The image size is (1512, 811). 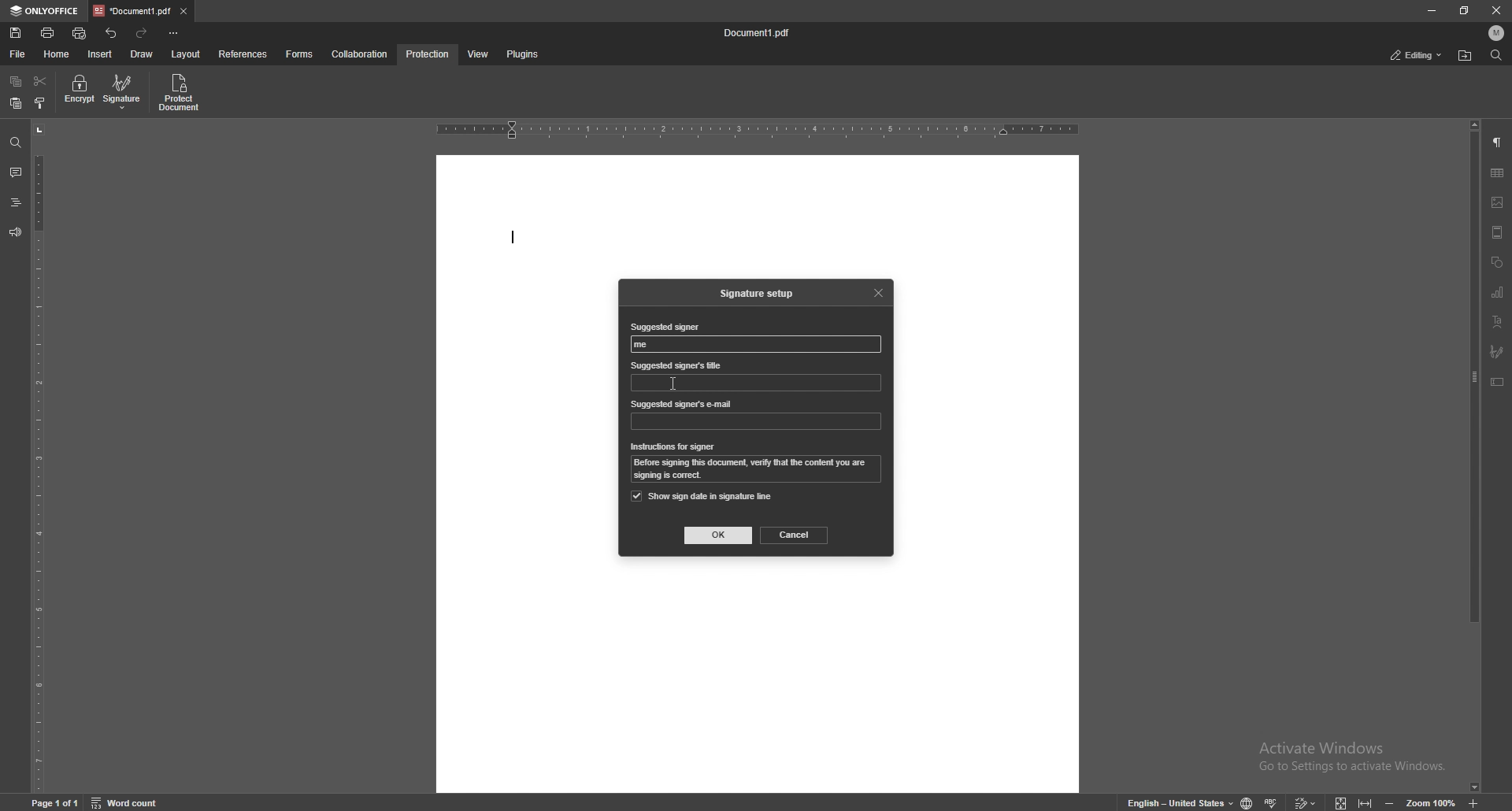 I want to click on change text language, so click(x=1174, y=802).